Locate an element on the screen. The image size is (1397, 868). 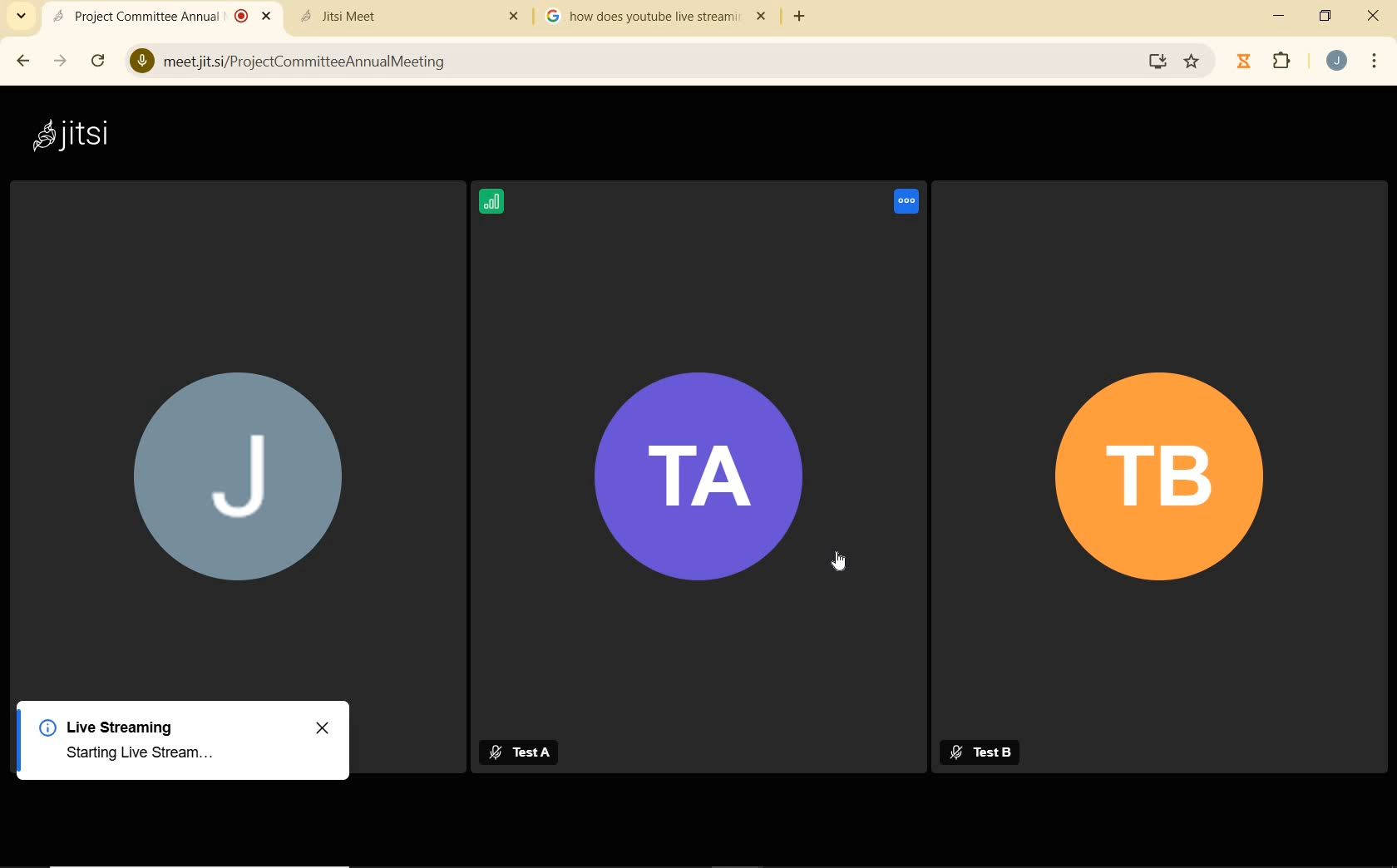
timer is located at coordinates (1244, 61).